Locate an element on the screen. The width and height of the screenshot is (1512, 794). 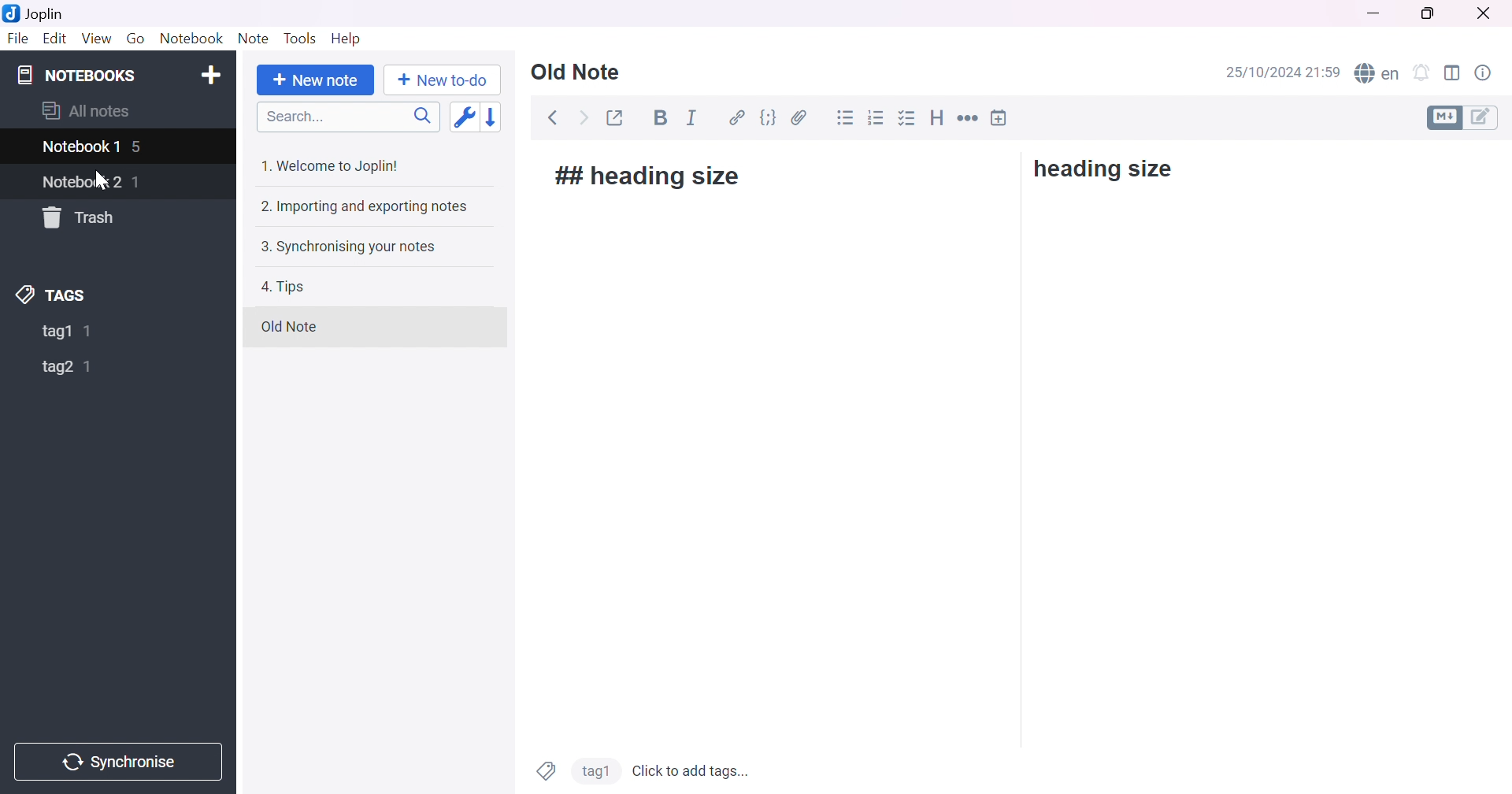
Toggle sort order field: updated date -> created date is located at coordinates (462, 119).